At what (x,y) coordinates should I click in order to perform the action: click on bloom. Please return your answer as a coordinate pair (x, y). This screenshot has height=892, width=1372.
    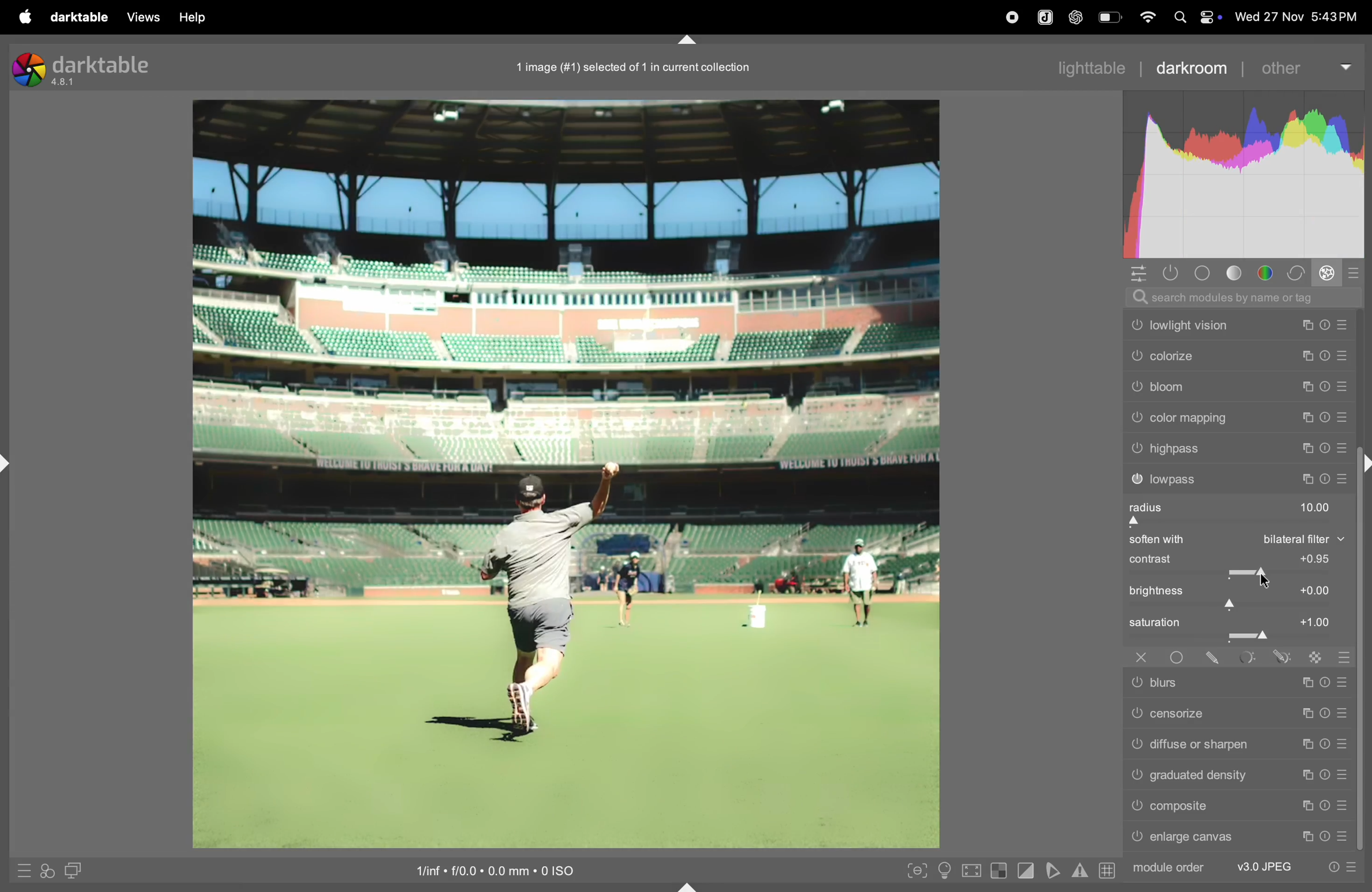
    Looking at the image, I should click on (1237, 390).